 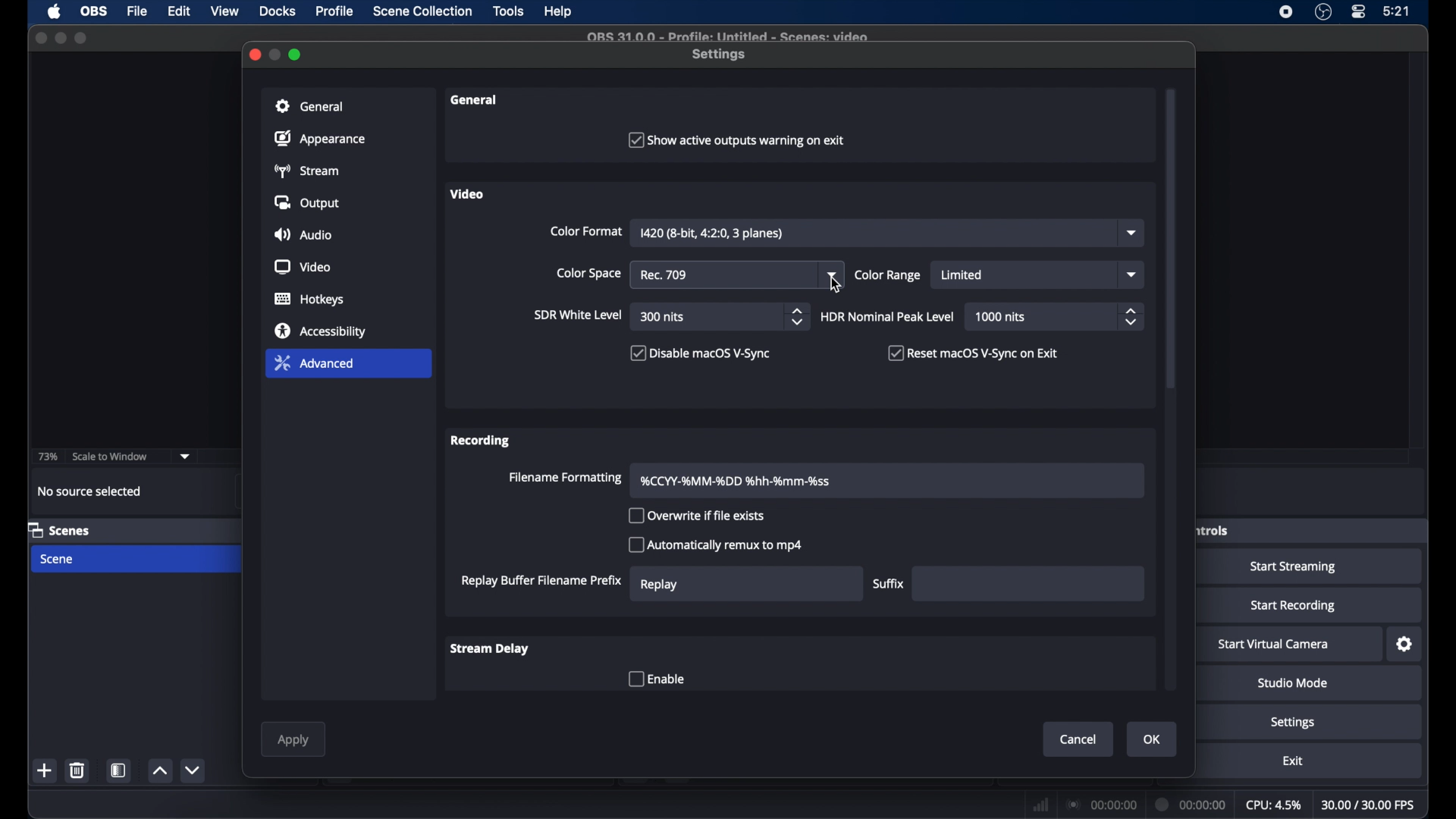 What do you see at coordinates (1101, 805) in the screenshot?
I see `connection` at bounding box center [1101, 805].